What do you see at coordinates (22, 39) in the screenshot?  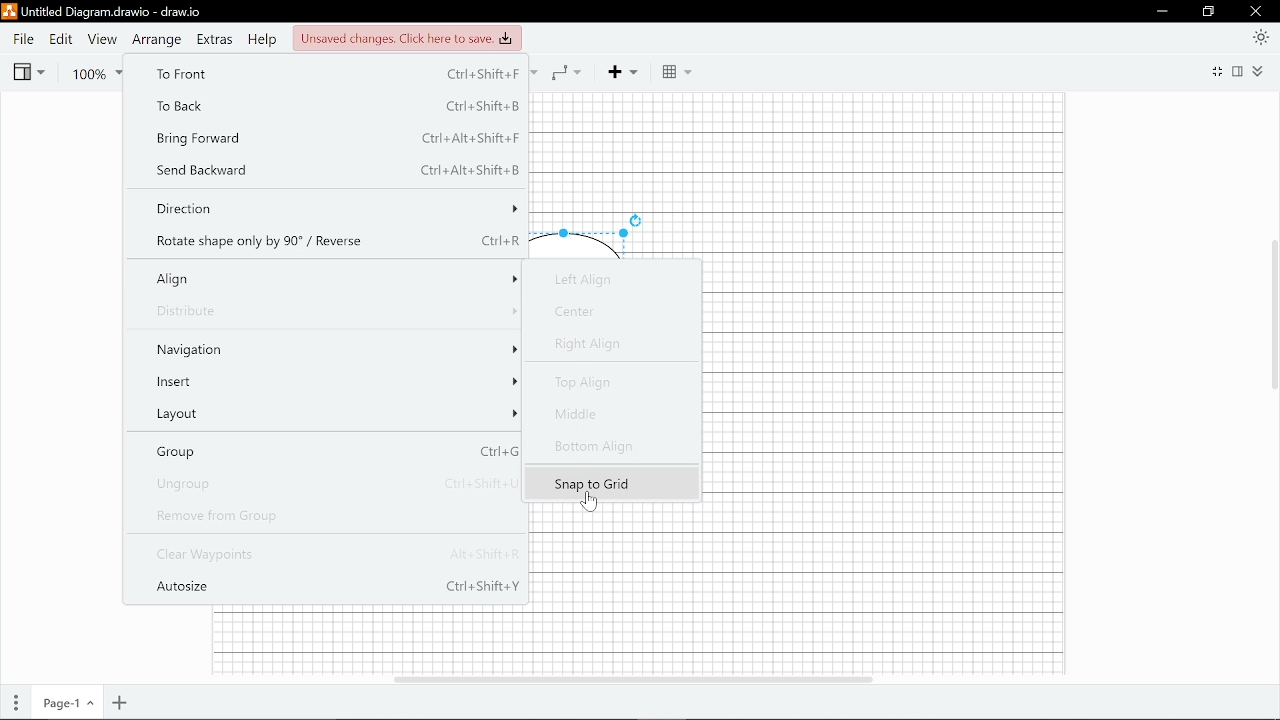 I see `File` at bounding box center [22, 39].